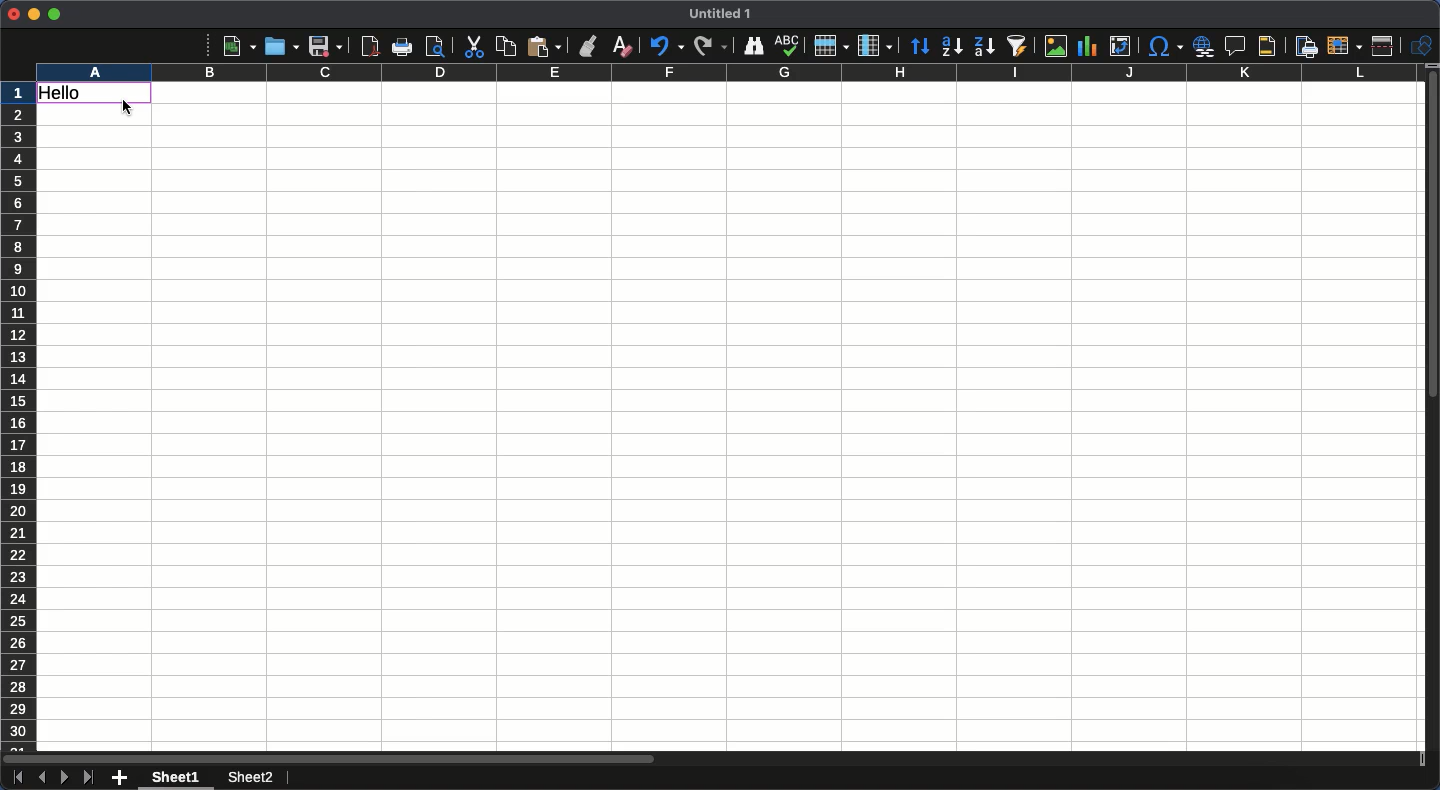  I want to click on First sheet, so click(16, 778).